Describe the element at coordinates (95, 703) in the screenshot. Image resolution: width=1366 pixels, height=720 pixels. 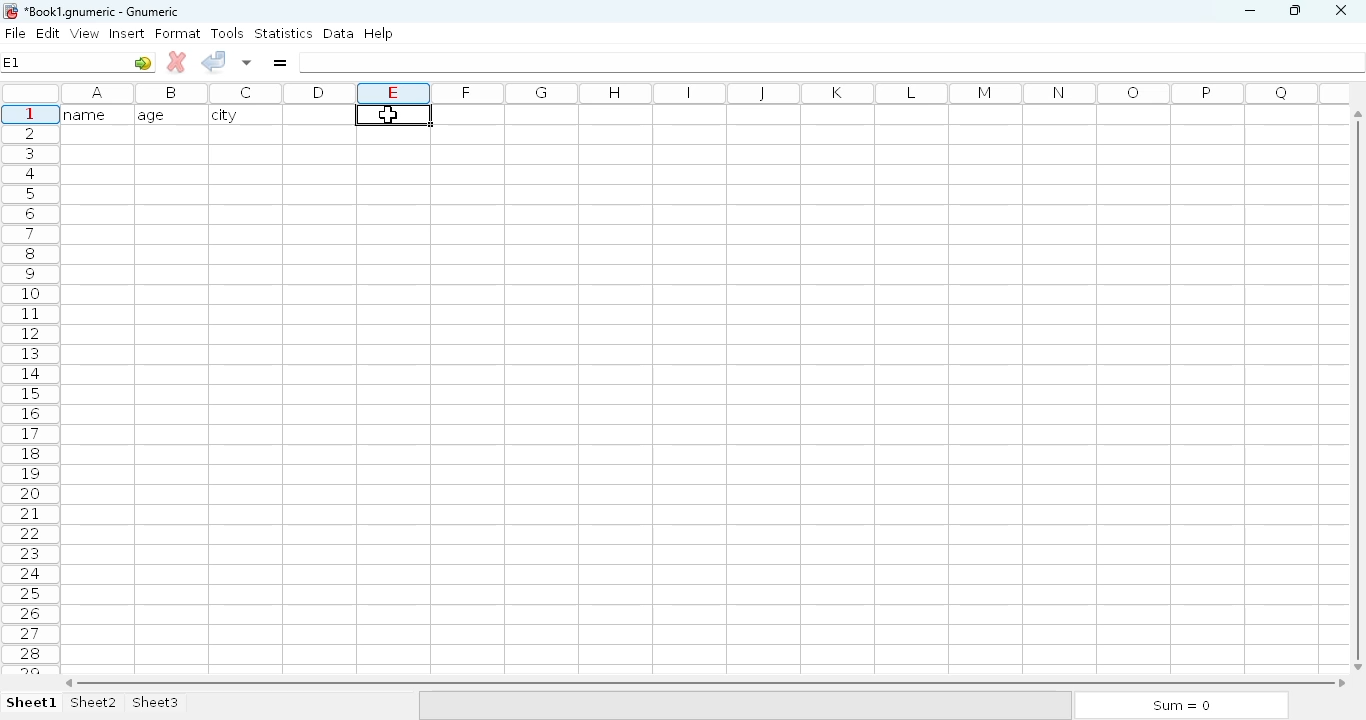
I see `sheet2` at that location.